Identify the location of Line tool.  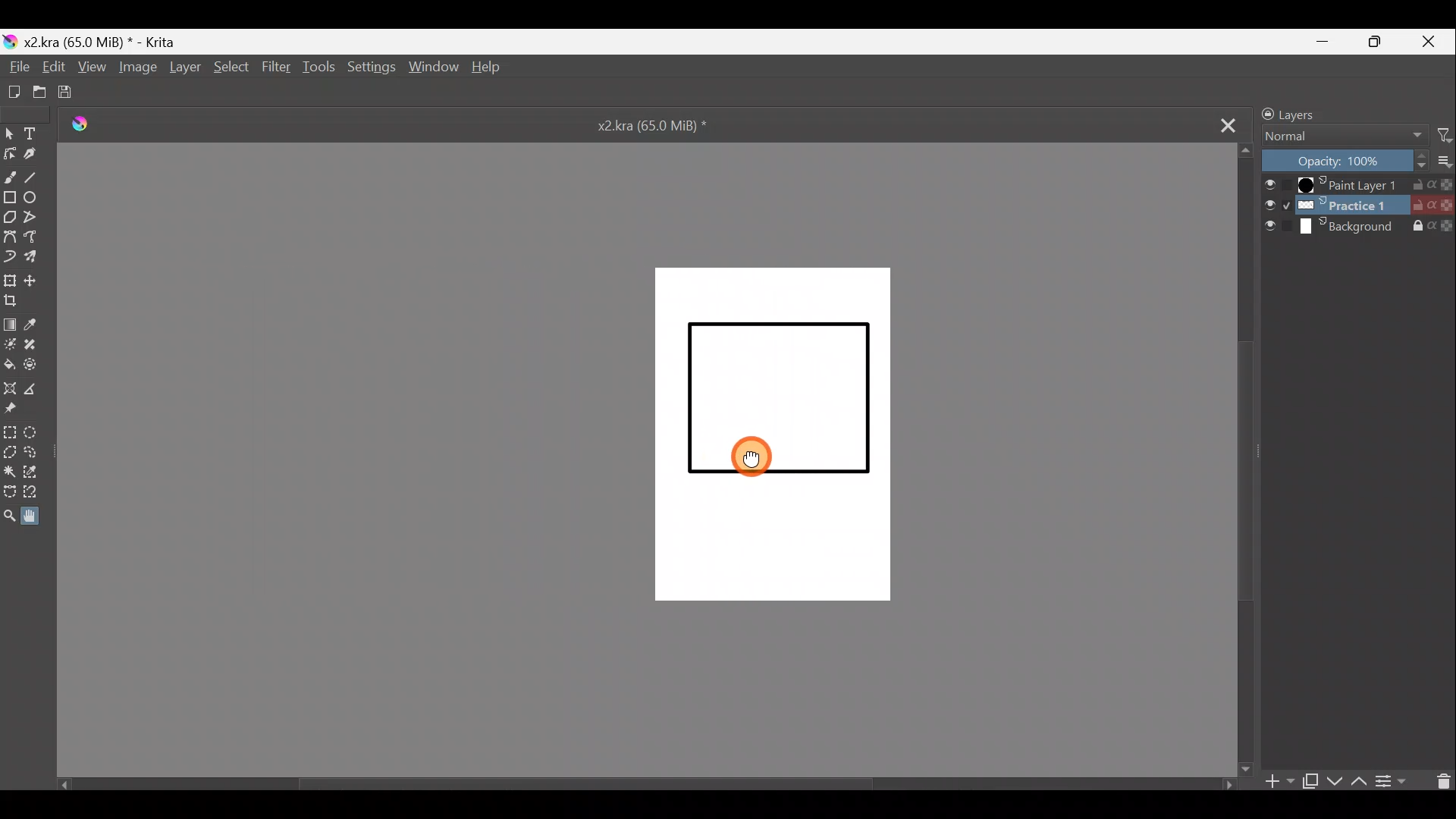
(38, 174).